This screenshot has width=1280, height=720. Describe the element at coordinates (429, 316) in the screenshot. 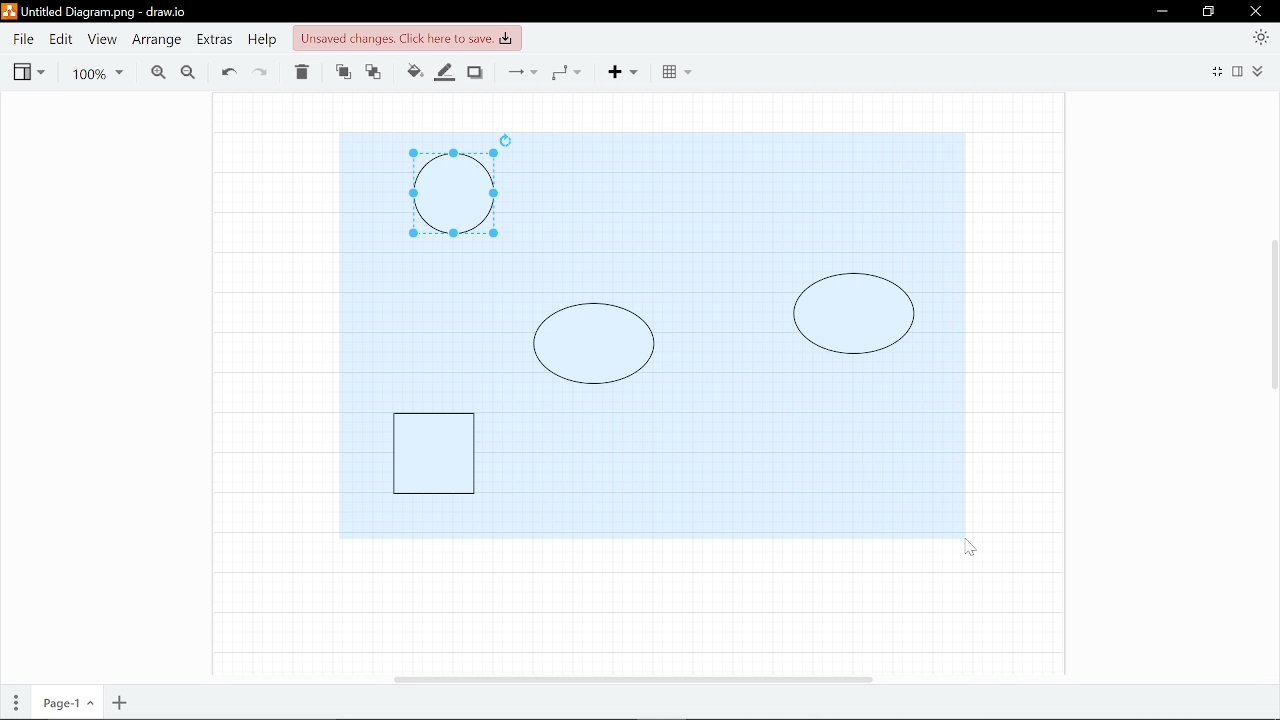

I see `Highlighted area represents portion selected by cursor` at that location.